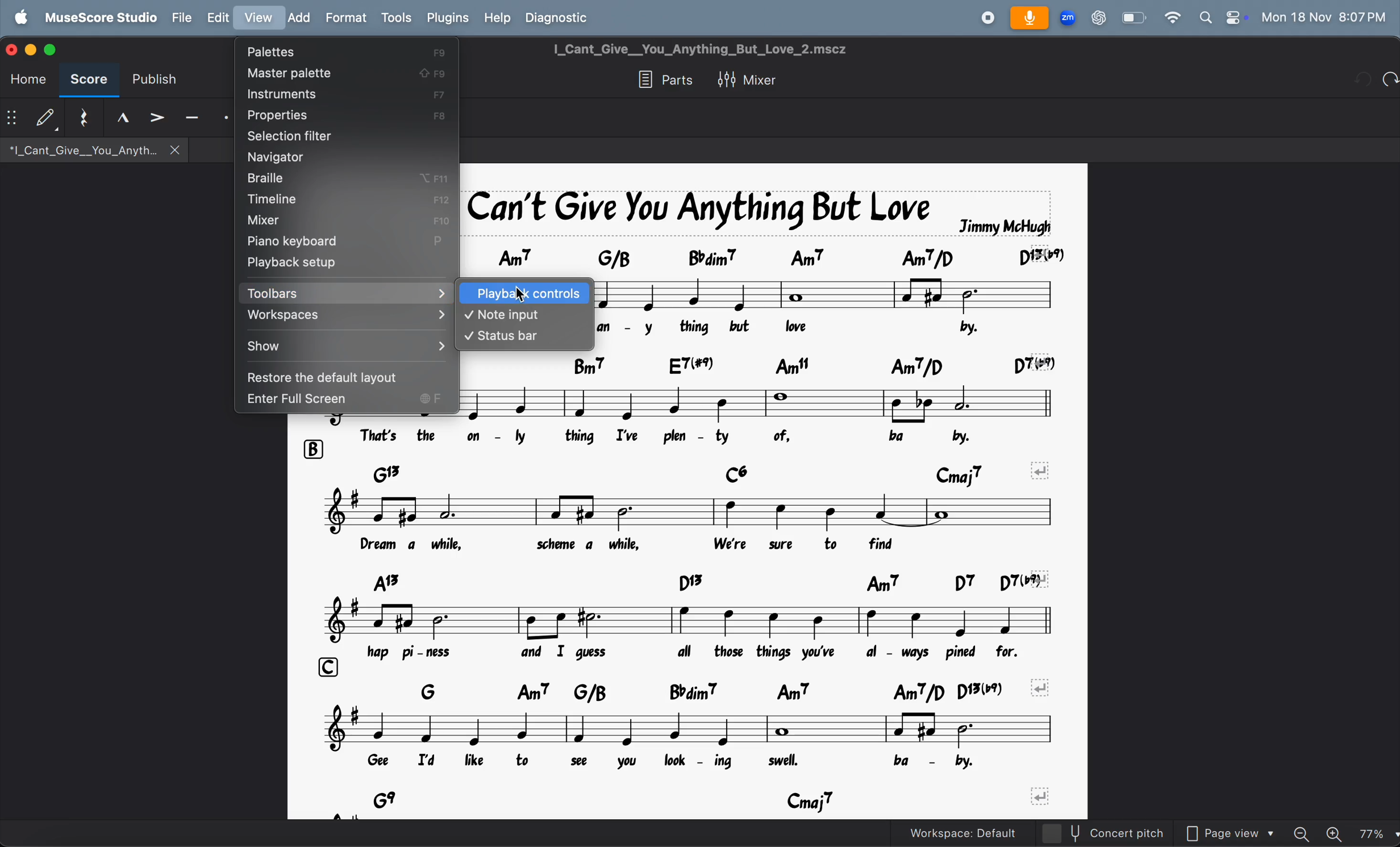 Image resolution: width=1400 pixels, height=847 pixels. Describe the element at coordinates (1171, 19) in the screenshot. I see `wifi` at that location.